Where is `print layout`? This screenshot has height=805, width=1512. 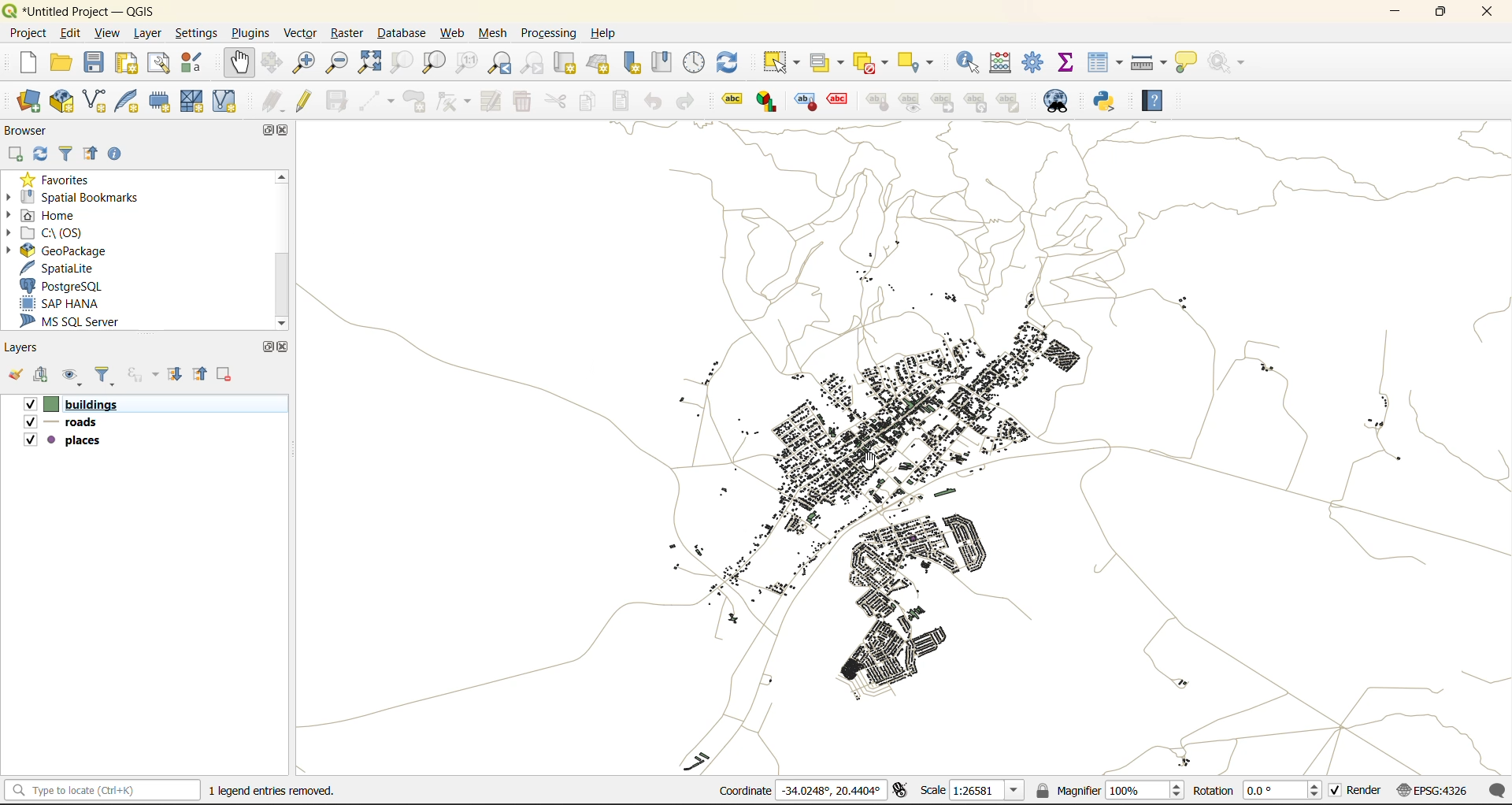 print layout is located at coordinates (124, 63).